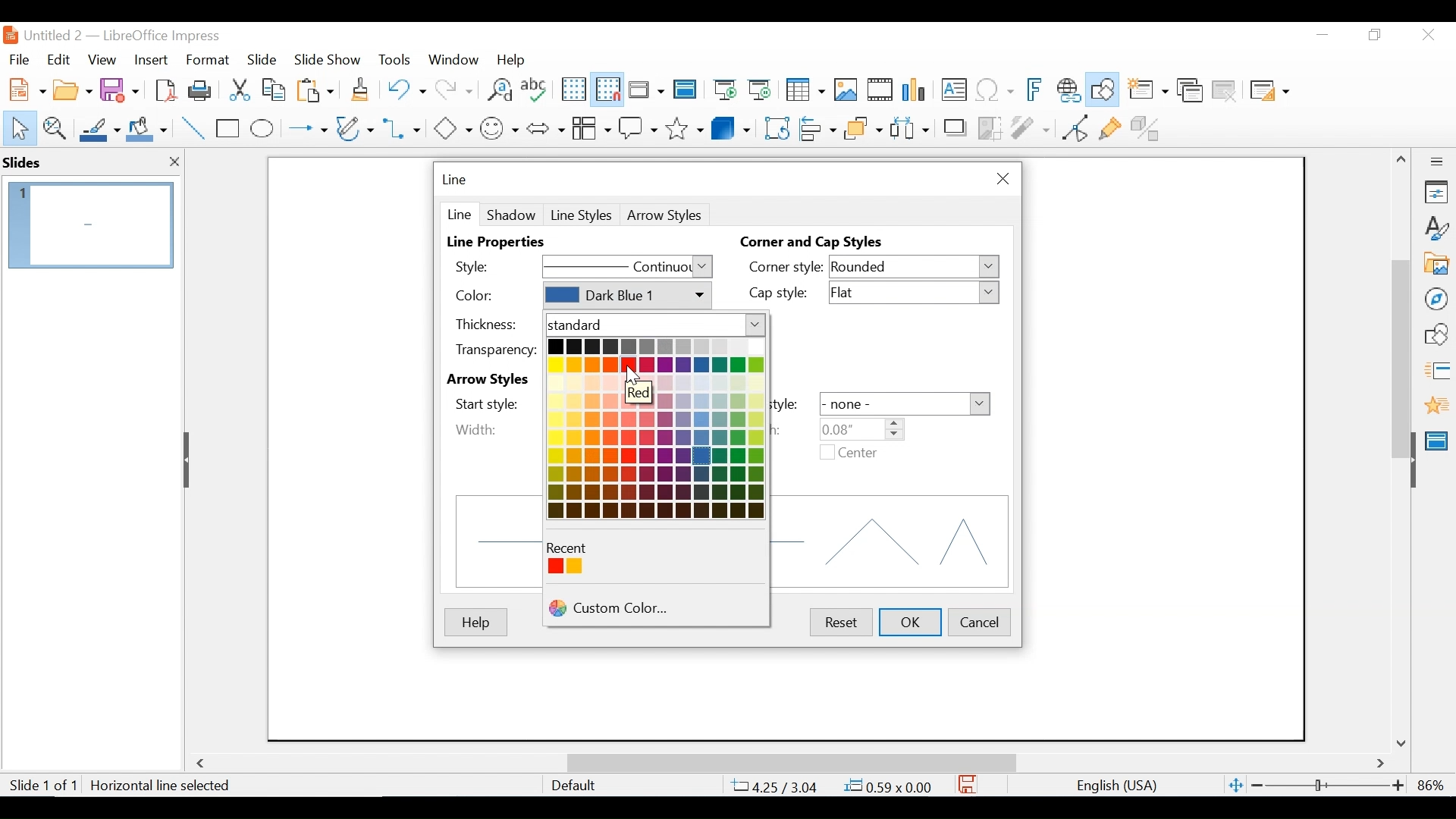  I want to click on Toggle Extrusion, so click(1149, 127).